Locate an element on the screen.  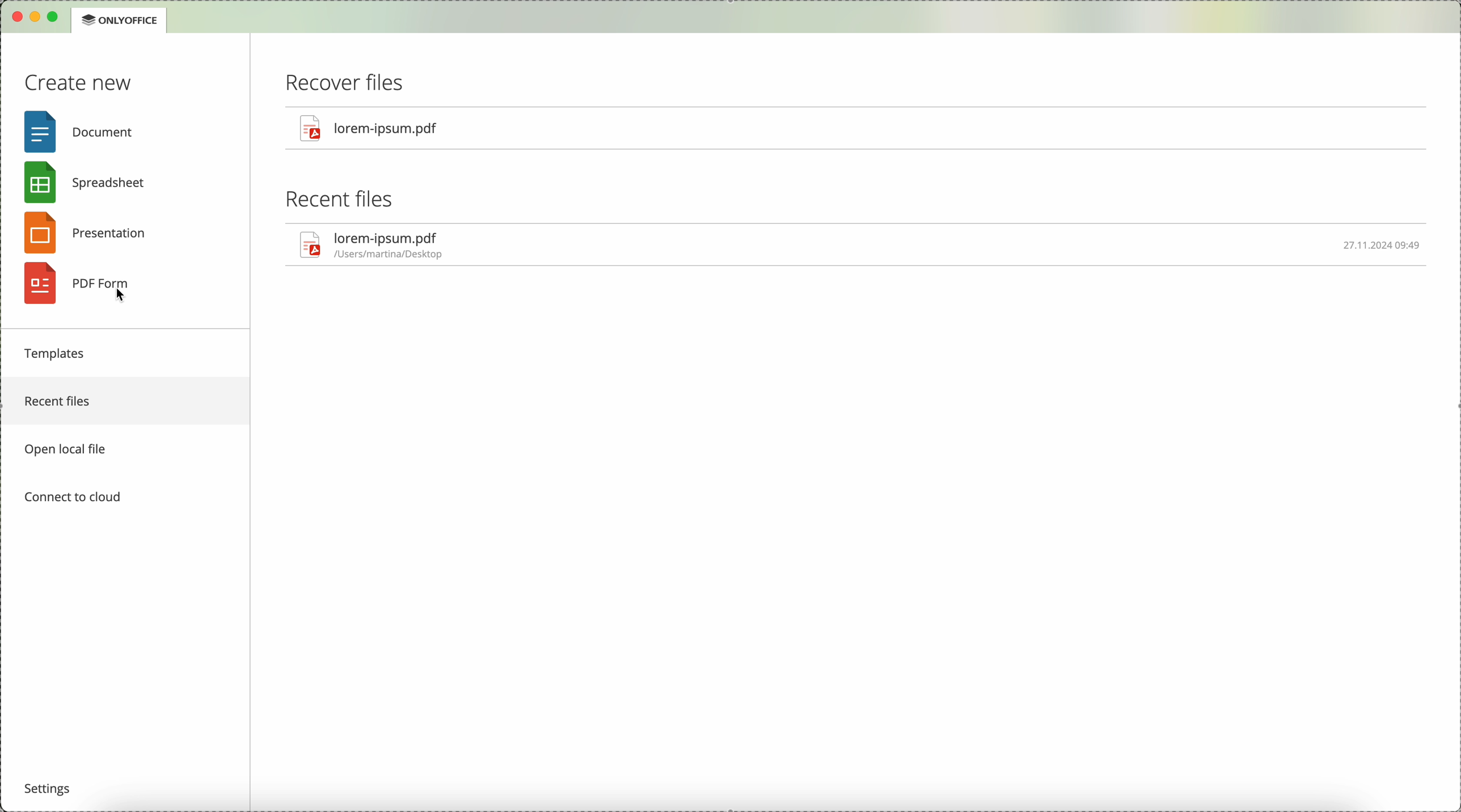
recover files is located at coordinates (352, 83).